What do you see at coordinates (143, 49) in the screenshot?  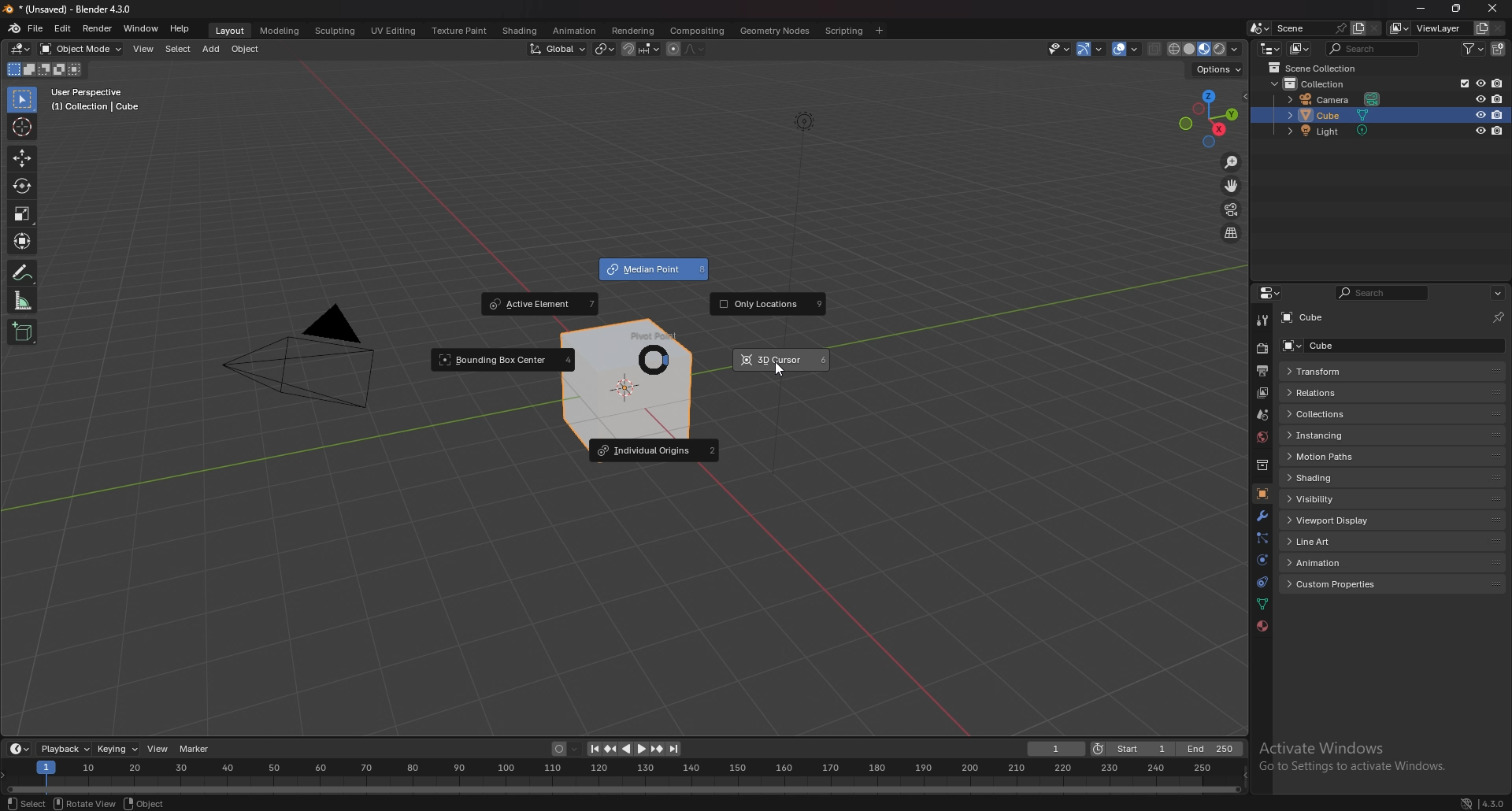 I see `view` at bounding box center [143, 49].